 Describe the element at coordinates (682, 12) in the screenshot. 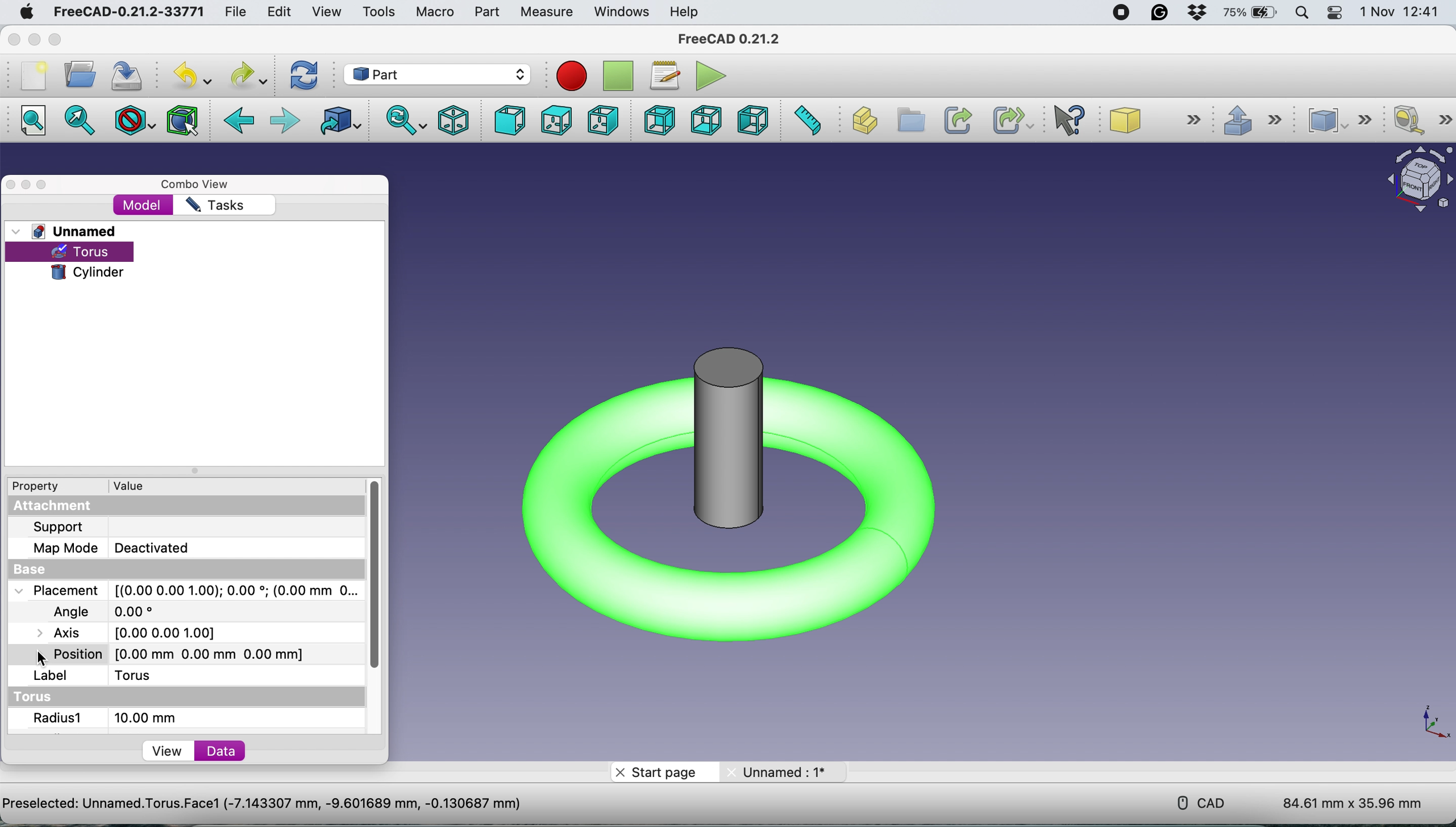

I see `help` at that location.